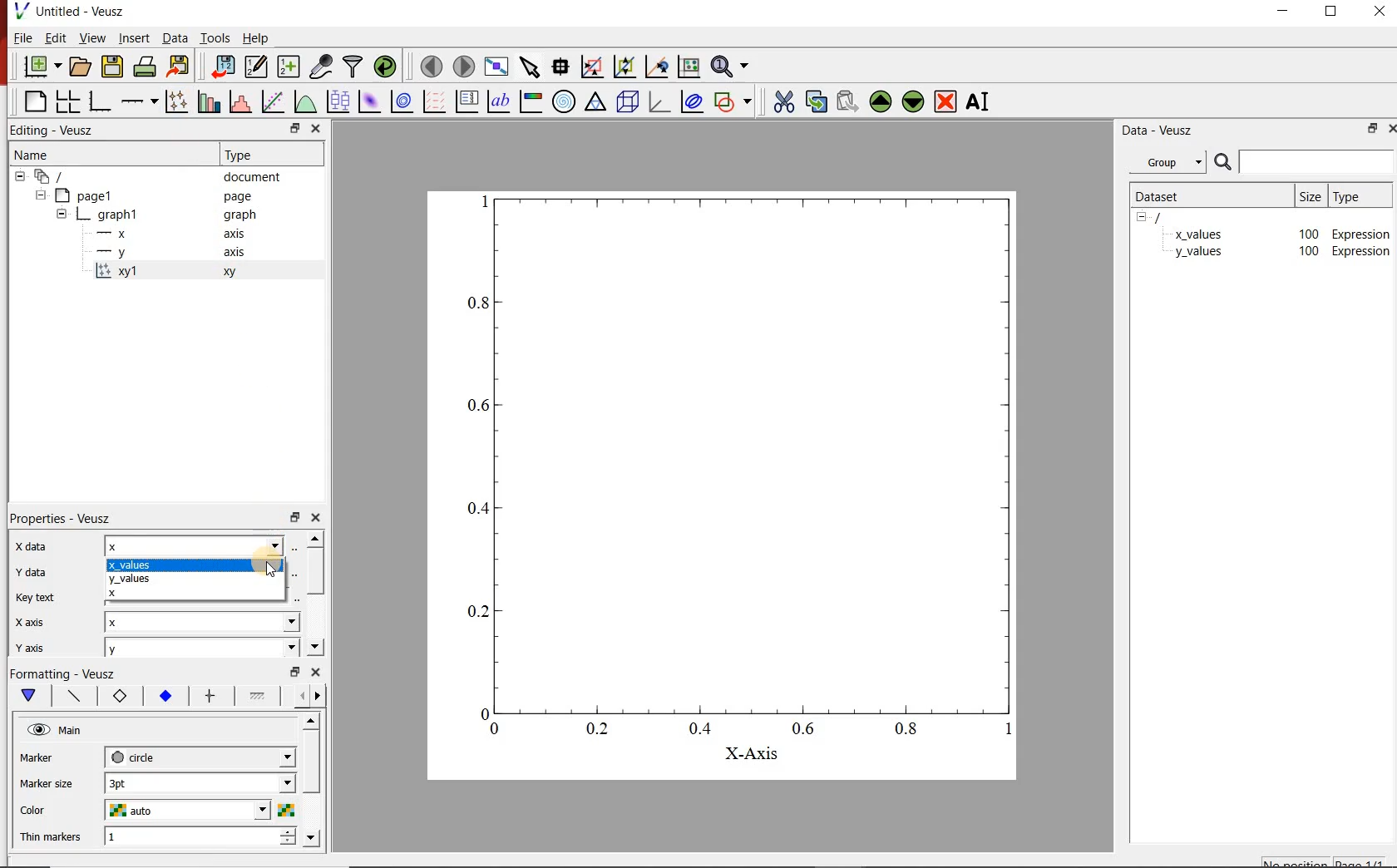 The width and height of the screenshot is (1397, 868). Describe the element at coordinates (295, 517) in the screenshot. I see `restore down` at that location.